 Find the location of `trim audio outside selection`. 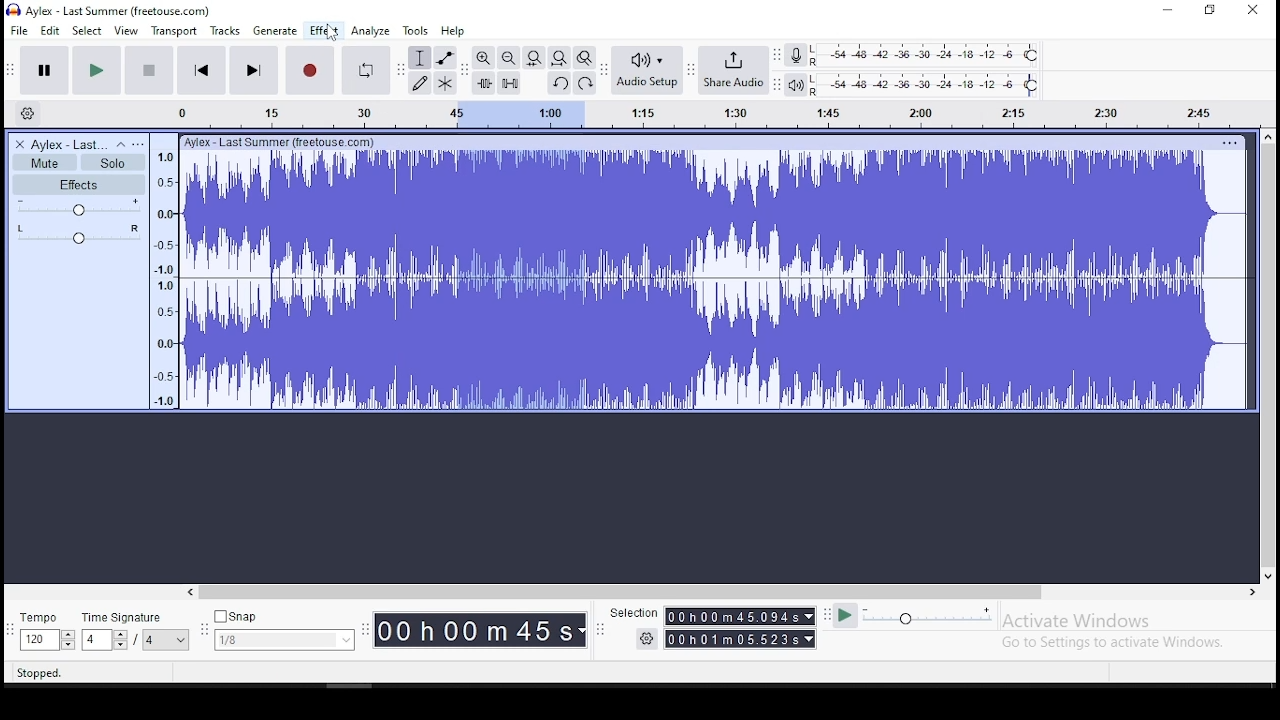

trim audio outside selection is located at coordinates (483, 82).